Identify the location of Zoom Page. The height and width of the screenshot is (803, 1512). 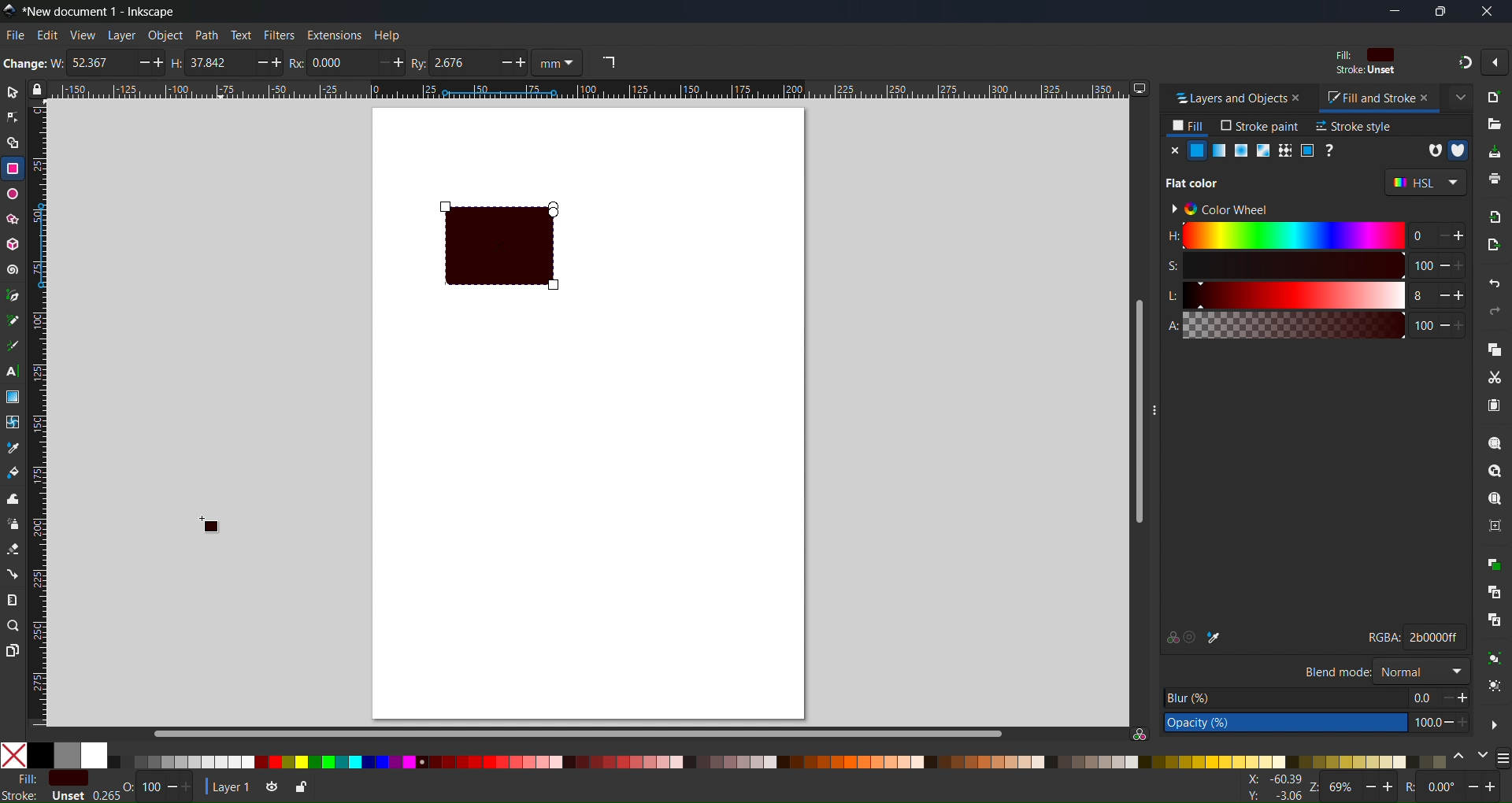
(1494, 498).